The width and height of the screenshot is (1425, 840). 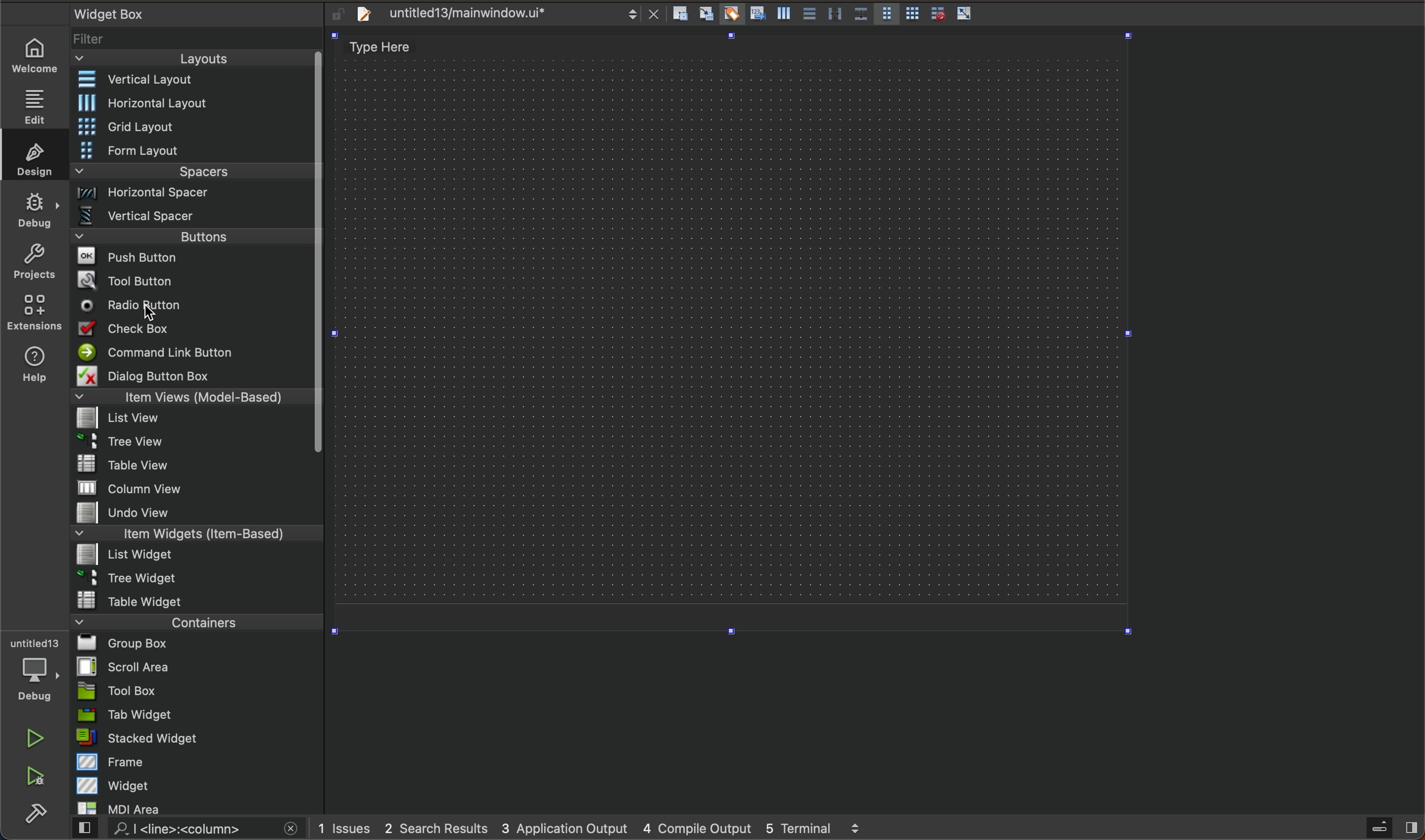 What do you see at coordinates (190, 399) in the screenshot?
I see `item views` at bounding box center [190, 399].